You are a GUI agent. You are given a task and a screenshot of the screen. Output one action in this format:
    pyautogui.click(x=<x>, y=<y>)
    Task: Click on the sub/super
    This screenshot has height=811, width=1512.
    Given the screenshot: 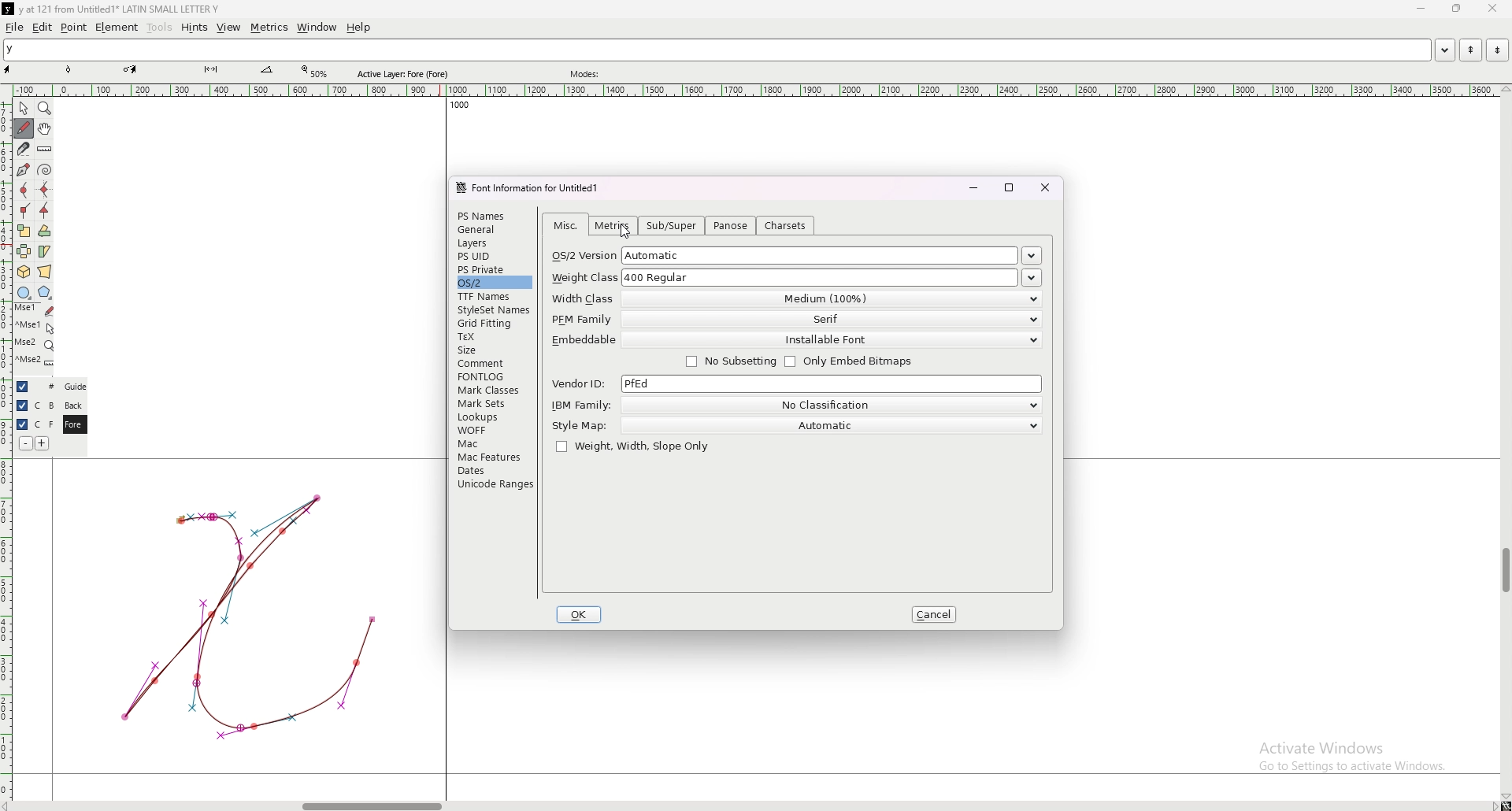 What is the action you would take?
    pyautogui.click(x=673, y=226)
    